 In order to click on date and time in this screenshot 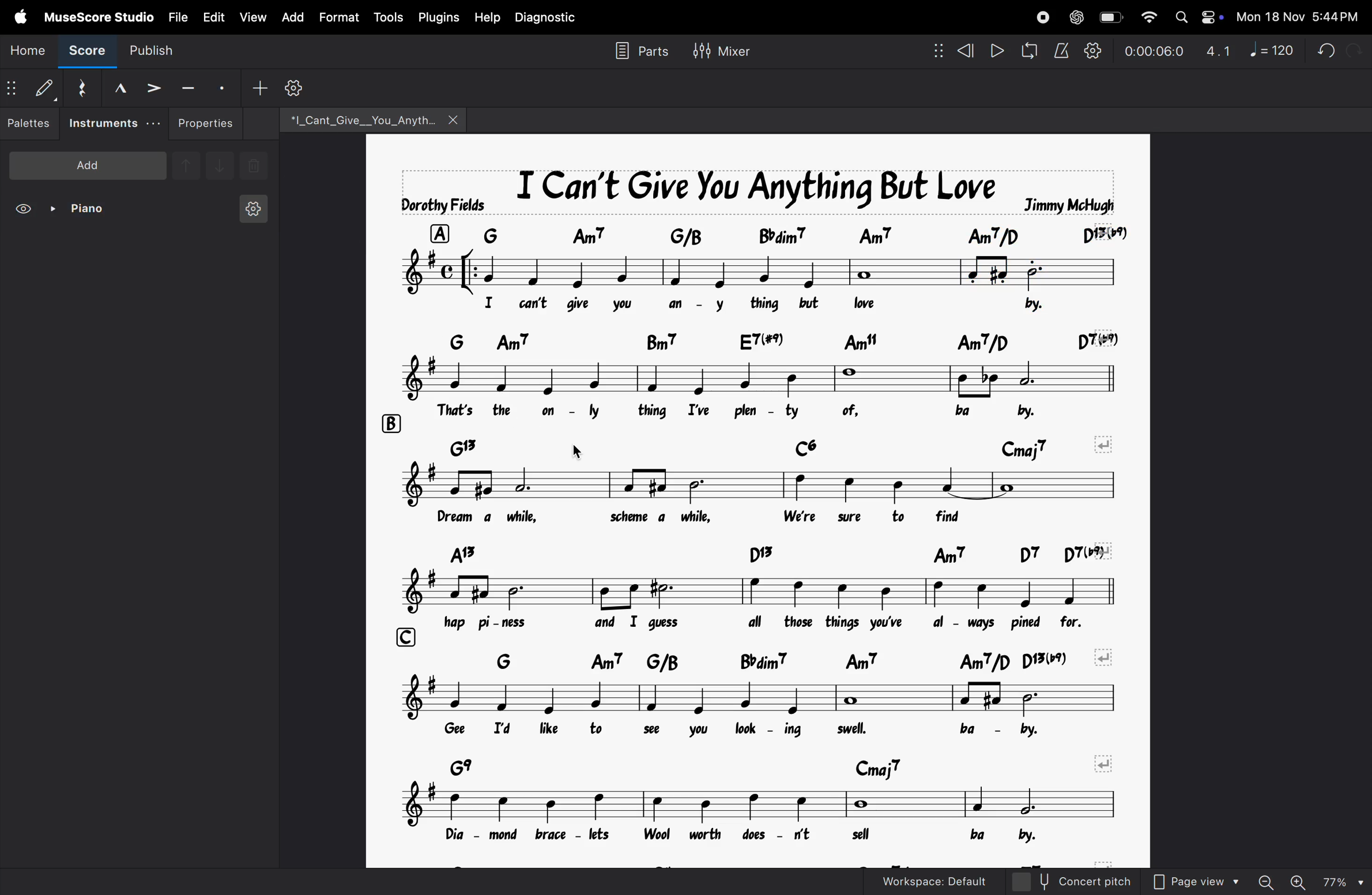, I will do `click(1296, 16)`.